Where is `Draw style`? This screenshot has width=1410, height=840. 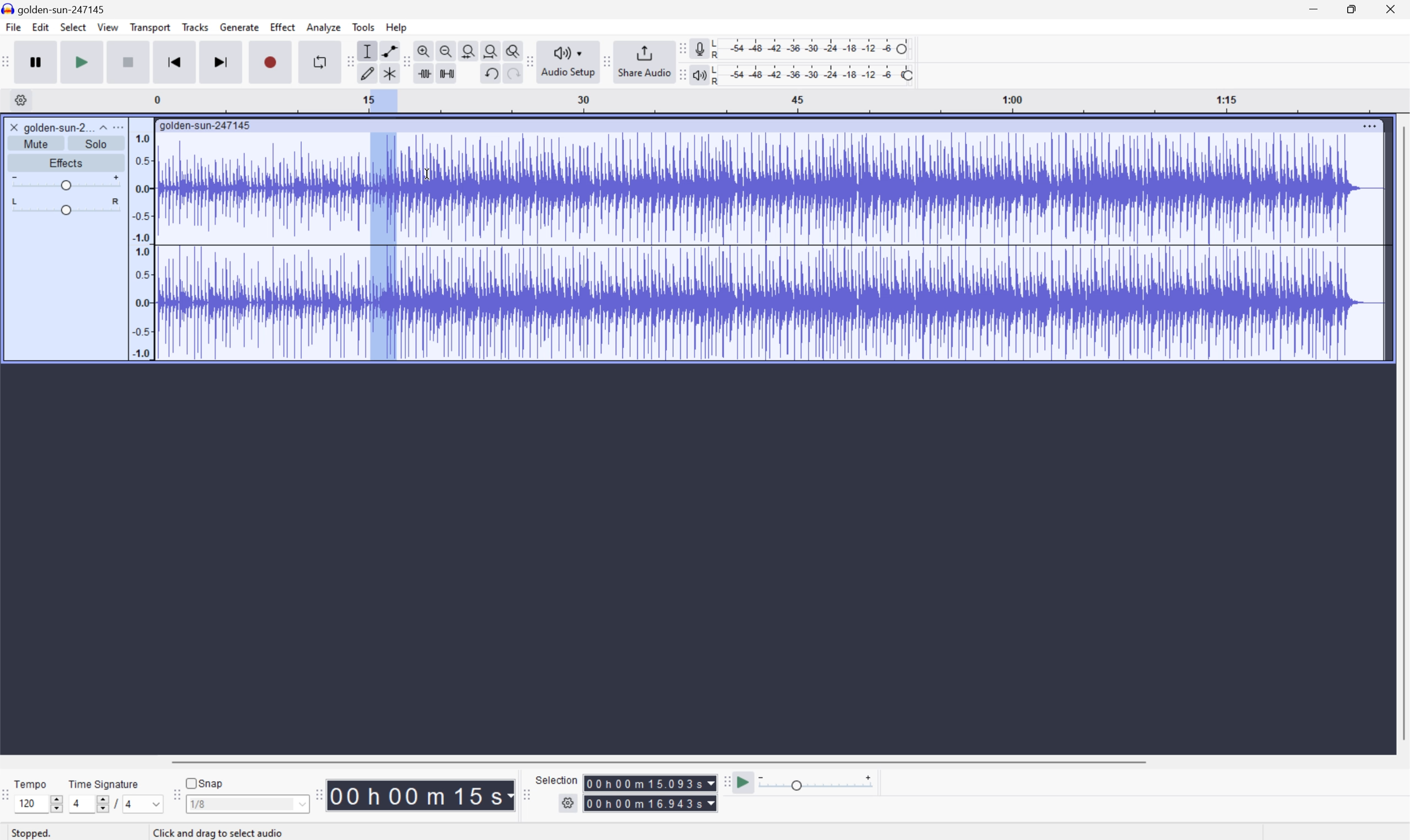
Draw style is located at coordinates (369, 72).